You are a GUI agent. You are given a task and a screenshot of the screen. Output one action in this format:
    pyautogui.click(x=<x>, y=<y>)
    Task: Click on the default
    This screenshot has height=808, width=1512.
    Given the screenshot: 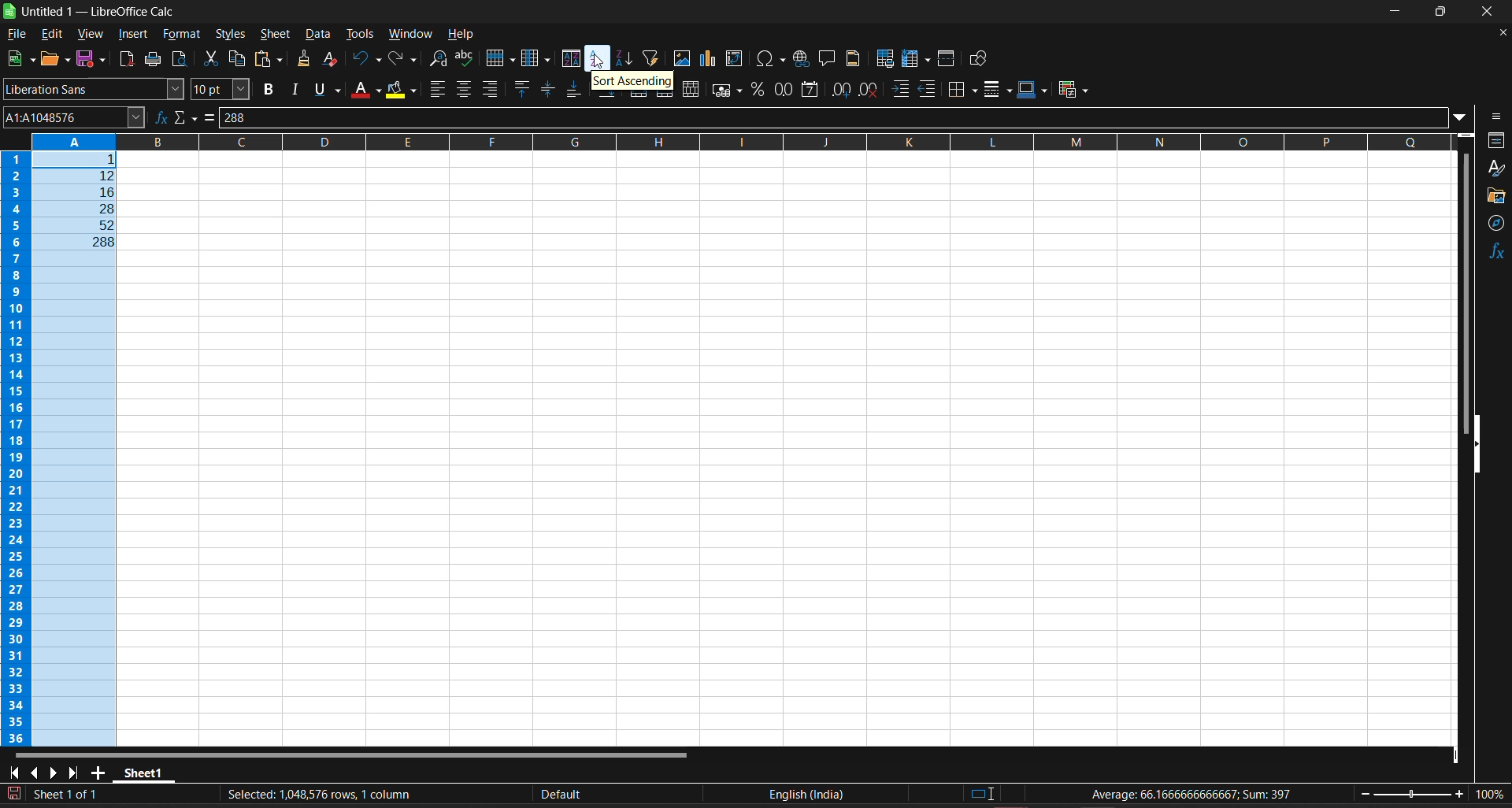 What is the action you would take?
    pyautogui.click(x=564, y=796)
    